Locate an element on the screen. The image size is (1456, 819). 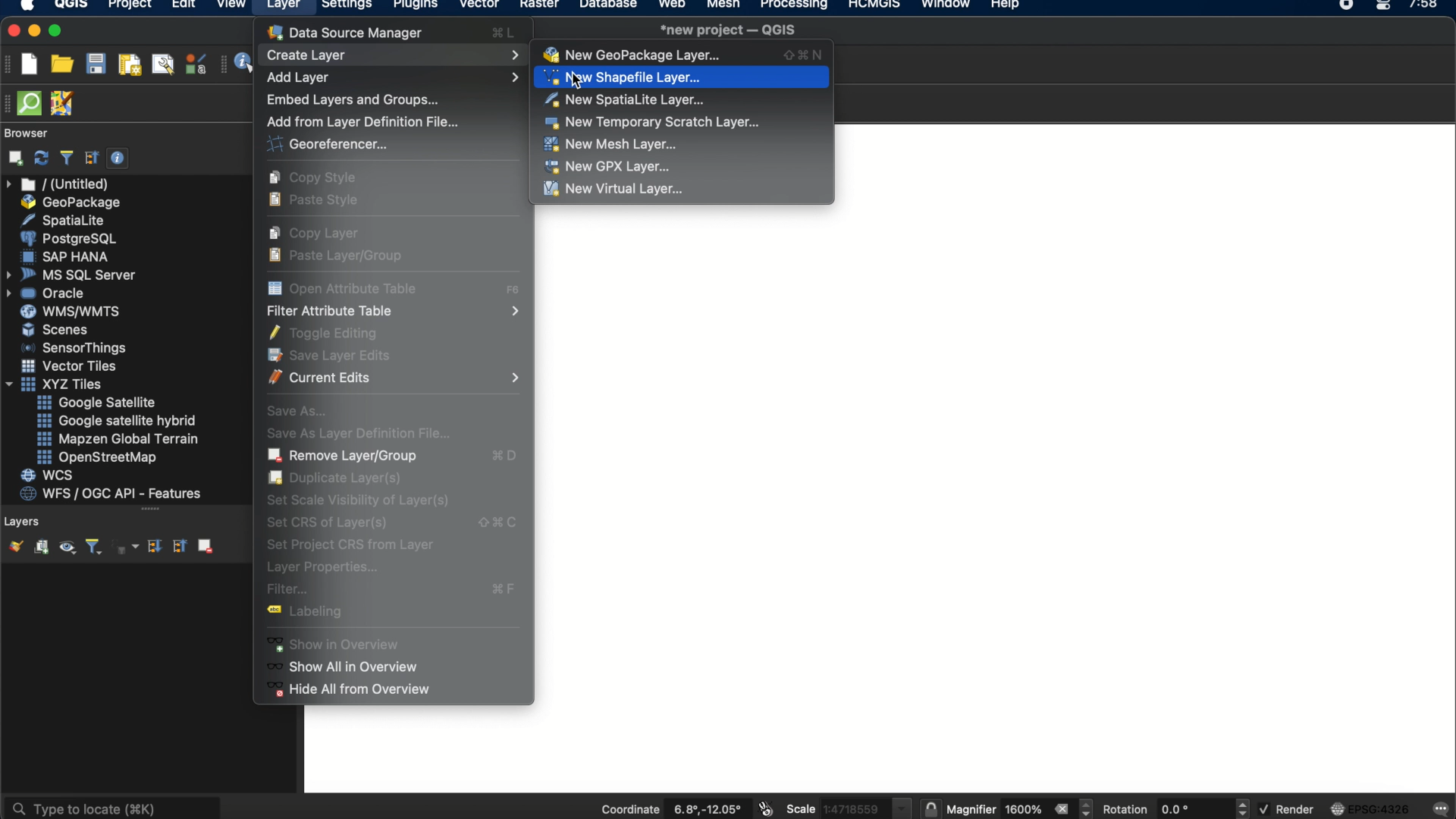
control center macOS is located at coordinates (1382, 7).